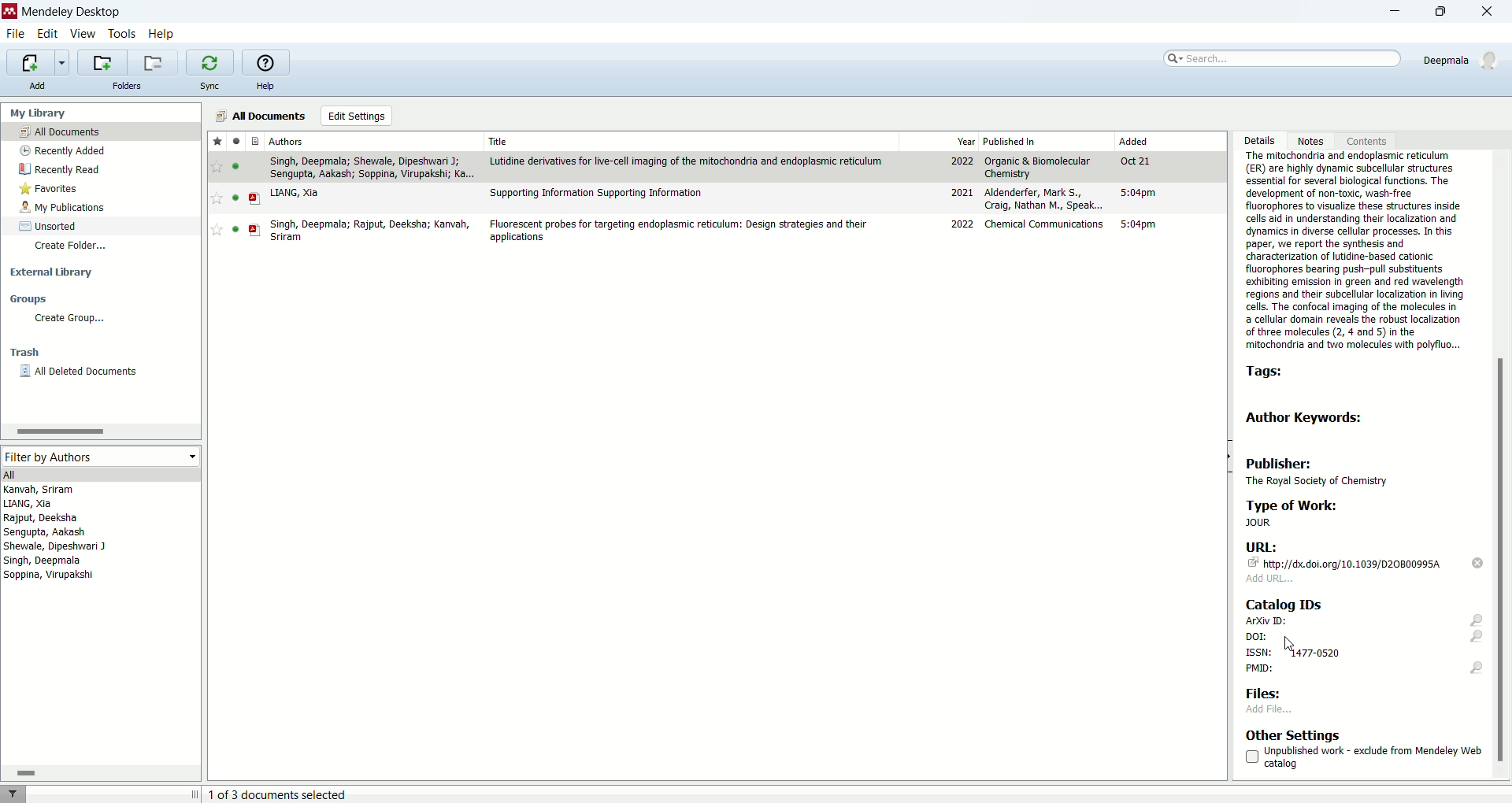 This screenshot has width=1512, height=803. I want to click on 5:04pm, so click(1138, 224).